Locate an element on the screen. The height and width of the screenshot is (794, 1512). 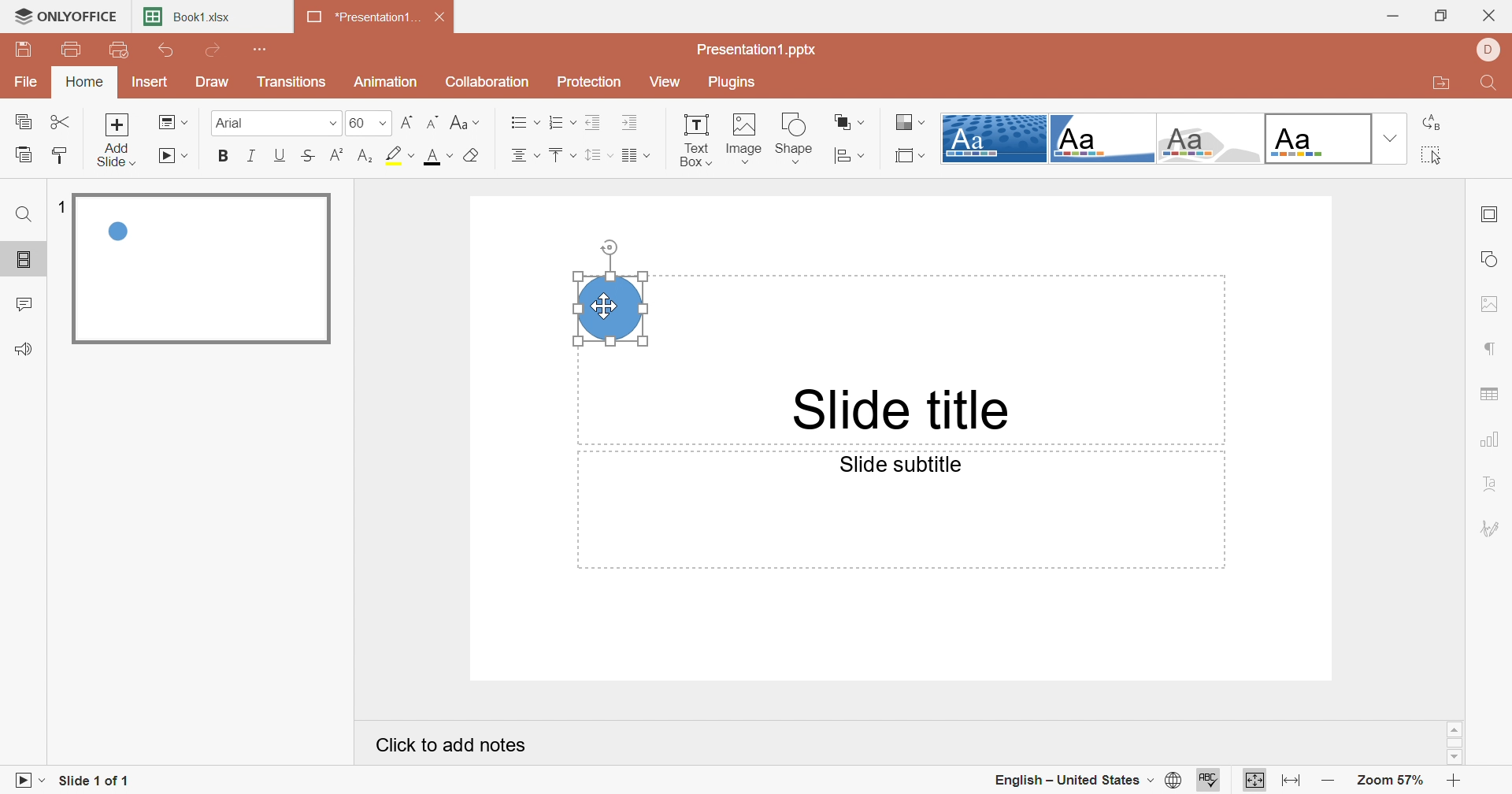
Select all is located at coordinates (1428, 156).